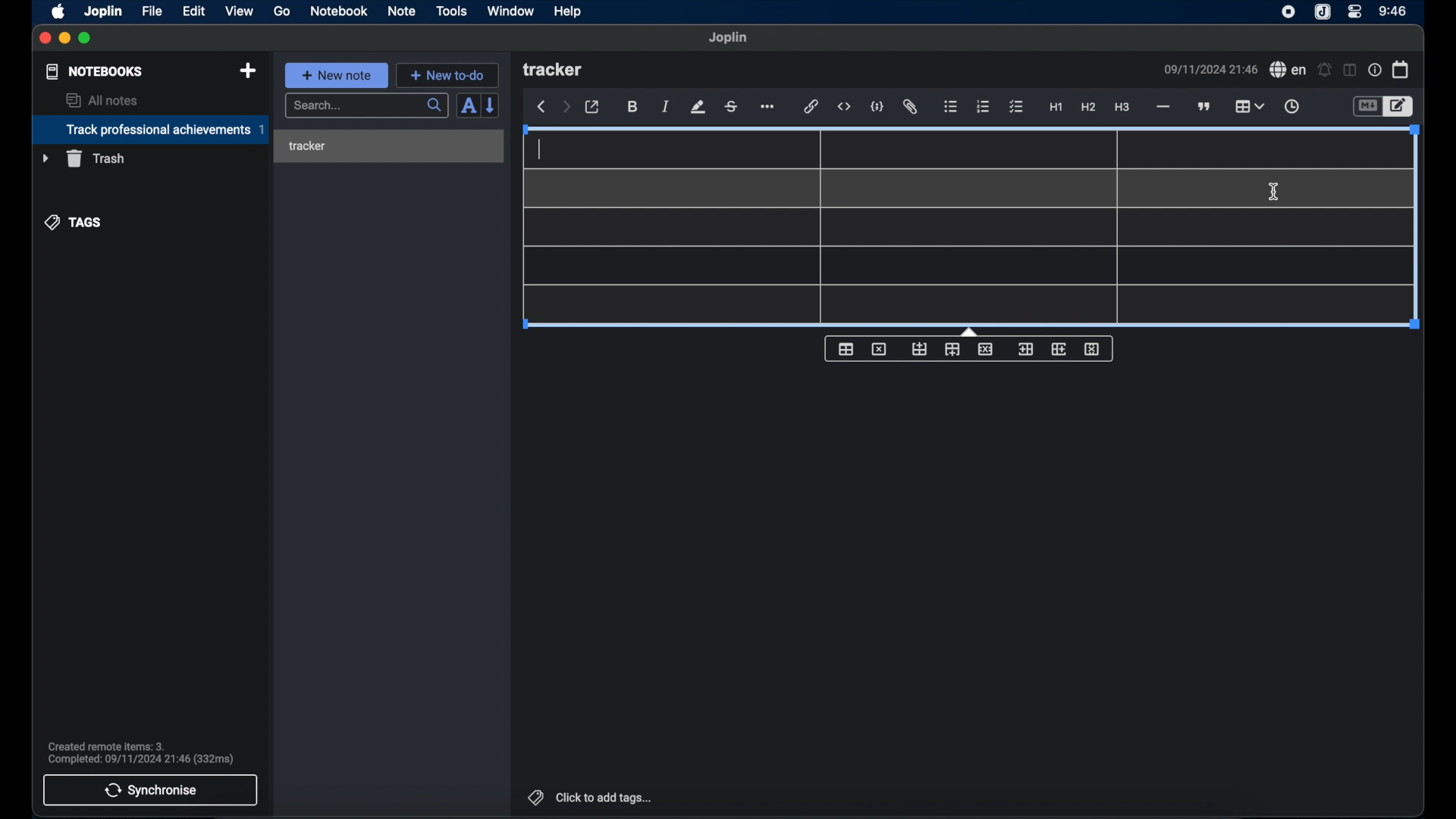 This screenshot has height=819, width=1456. I want to click on insert column before, so click(1025, 349).